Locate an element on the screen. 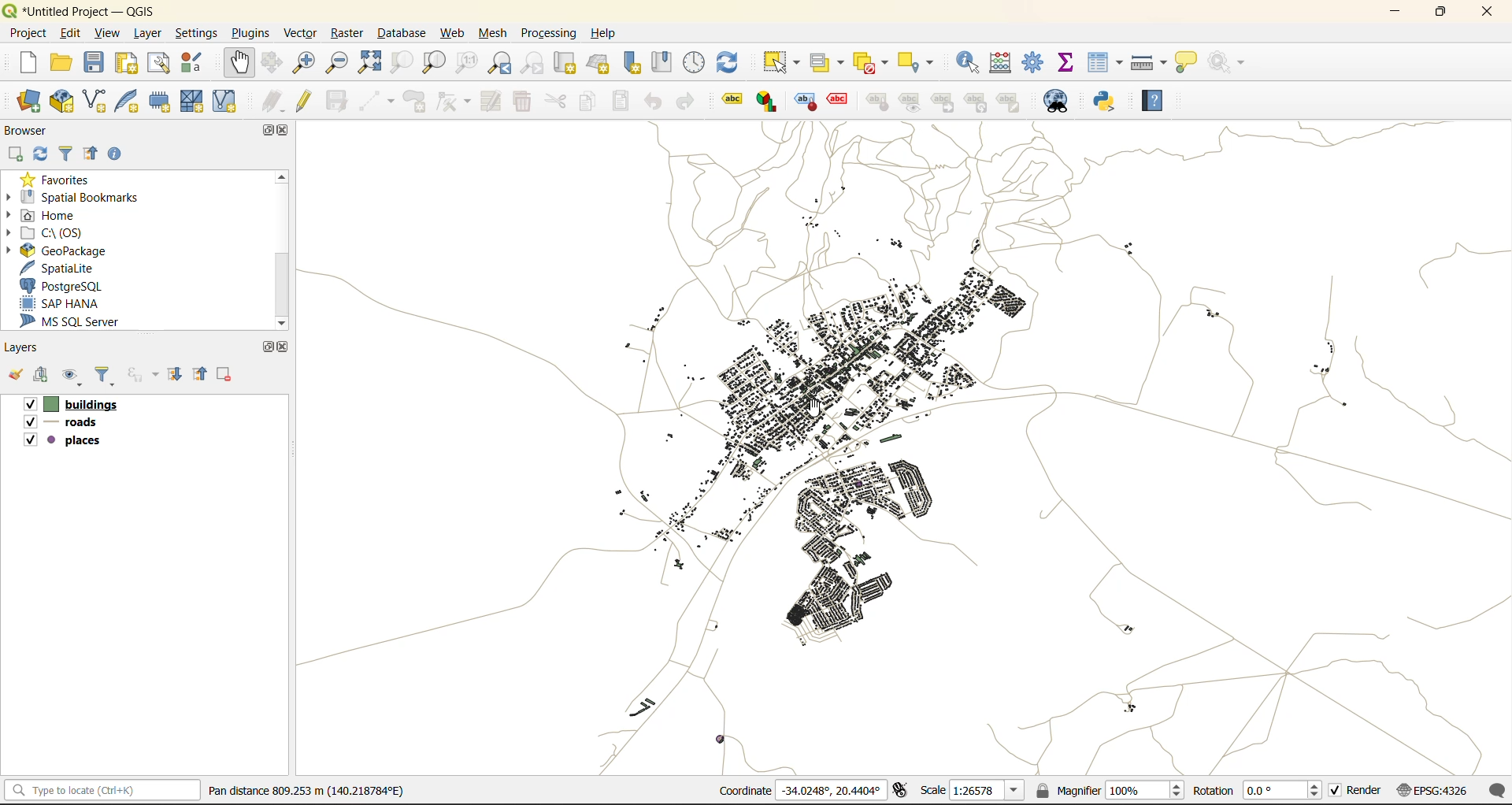  filter  is located at coordinates (109, 376).